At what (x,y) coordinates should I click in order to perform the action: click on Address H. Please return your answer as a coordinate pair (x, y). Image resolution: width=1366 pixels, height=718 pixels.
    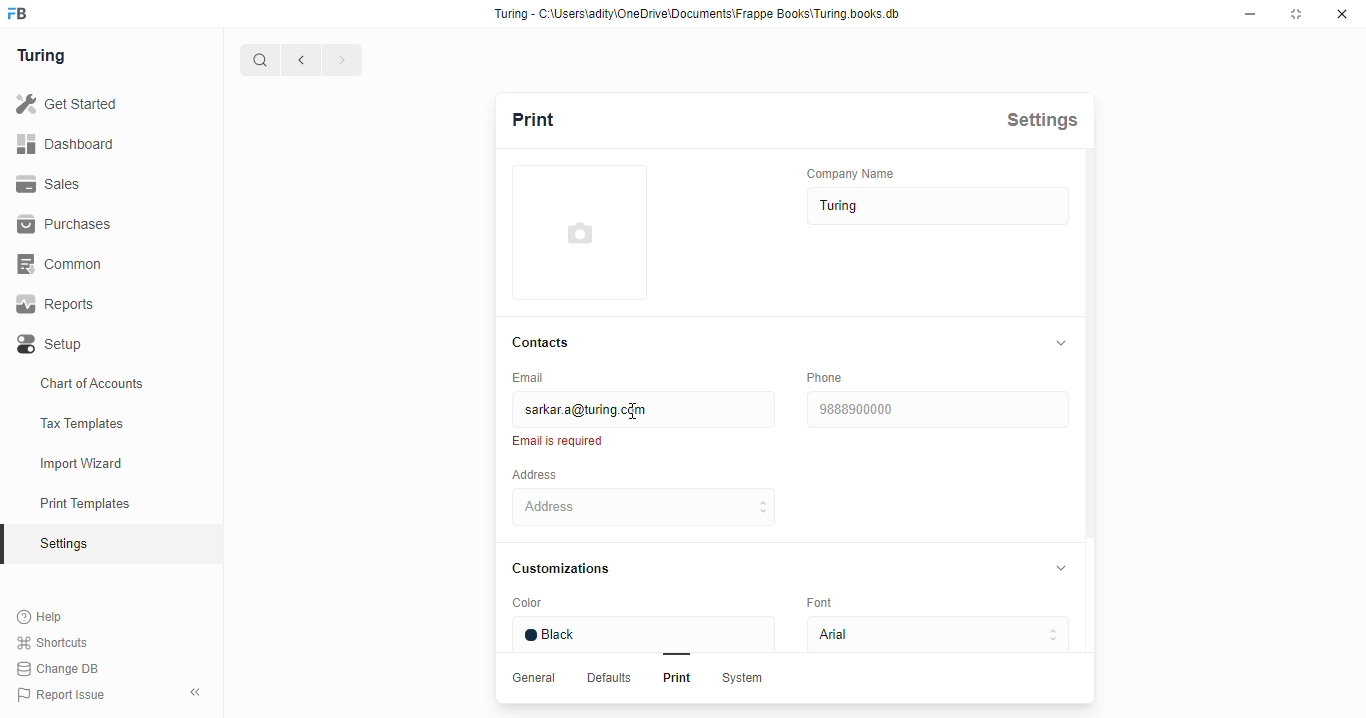
    Looking at the image, I should click on (672, 506).